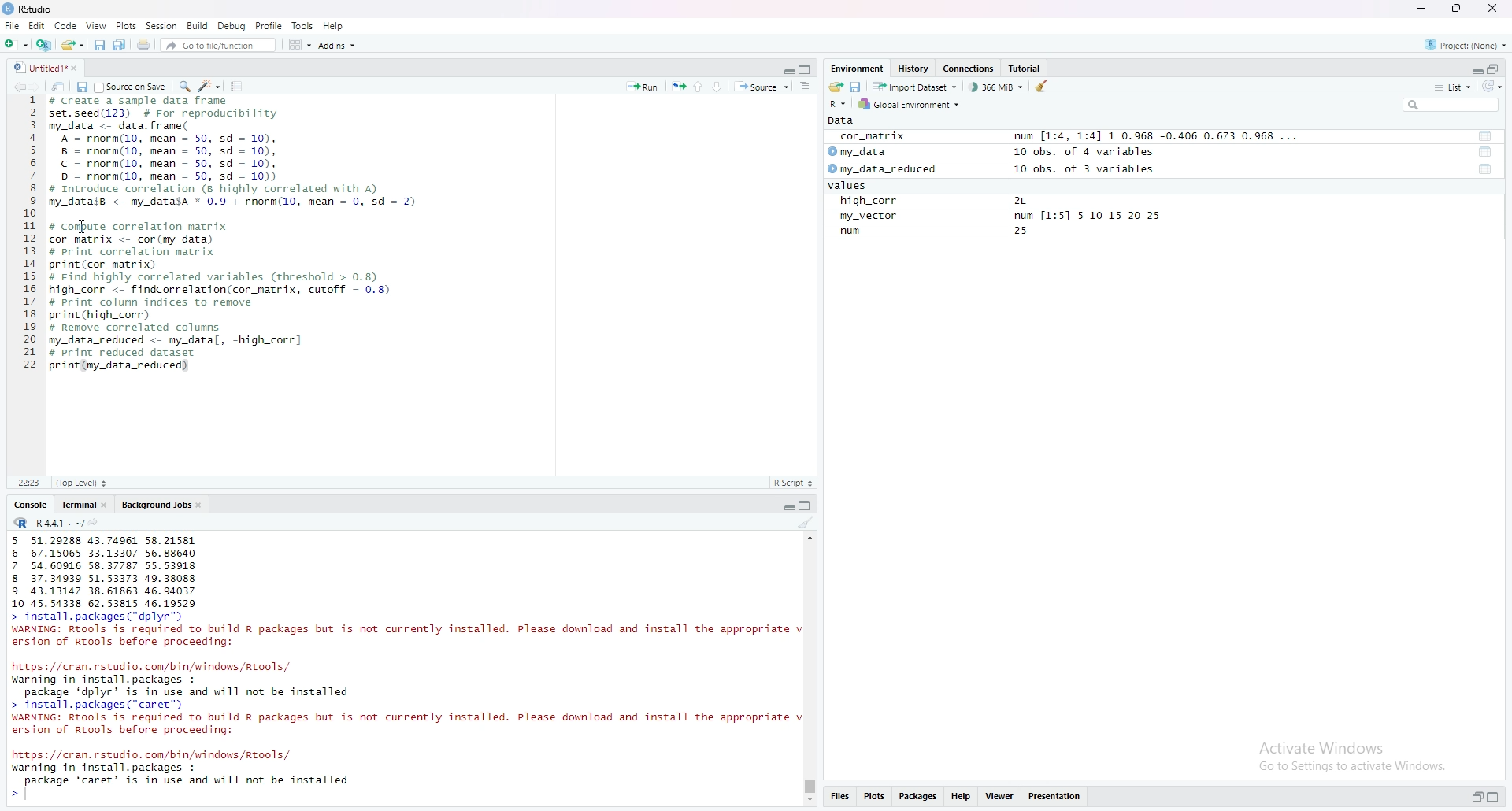 The width and height of the screenshot is (1512, 811). What do you see at coordinates (764, 87) in the screenshot?
I see `Source` at bounding box center [764, 87].